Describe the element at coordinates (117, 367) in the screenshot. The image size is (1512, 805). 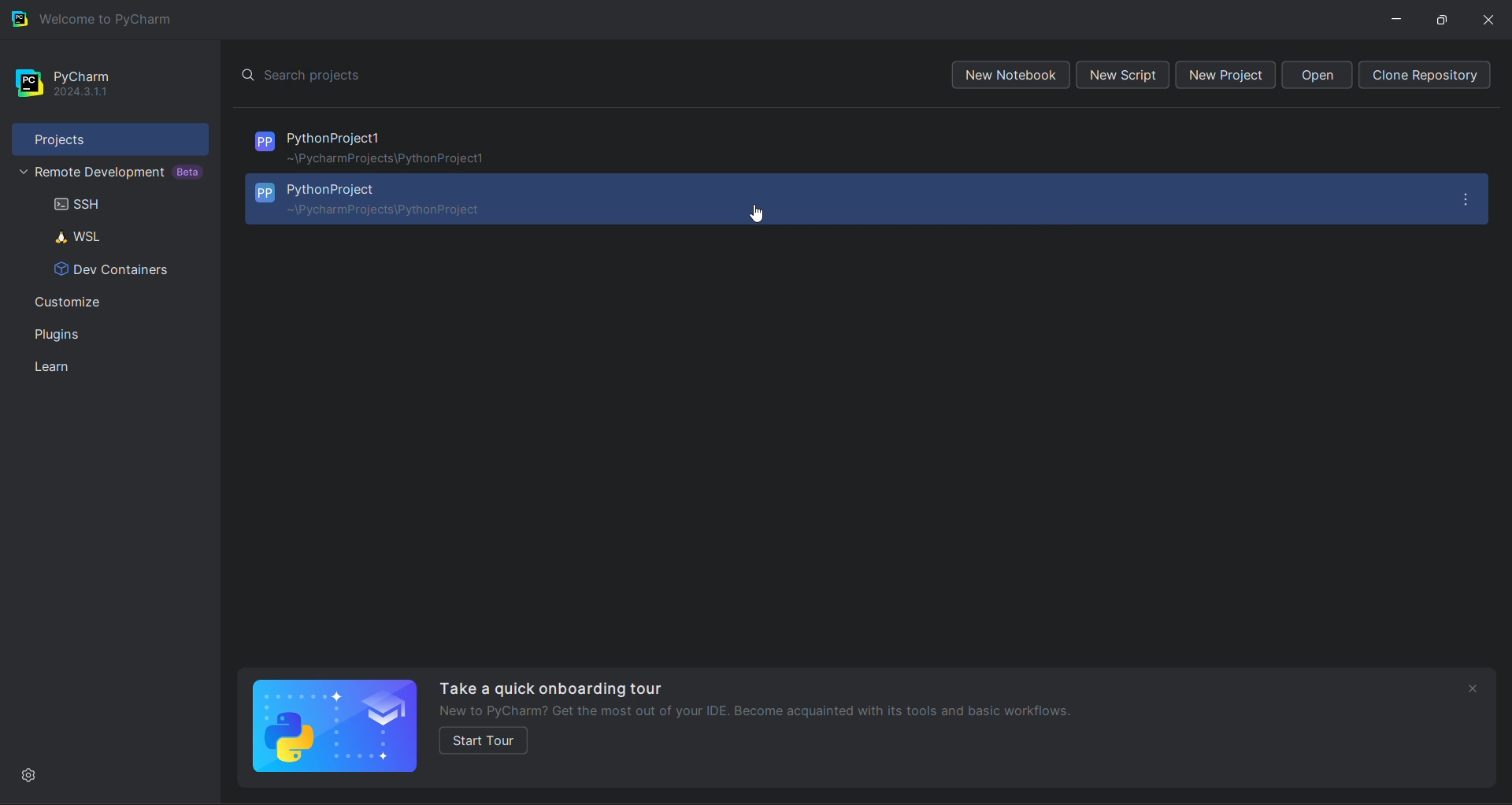
I see `learn` at that location.